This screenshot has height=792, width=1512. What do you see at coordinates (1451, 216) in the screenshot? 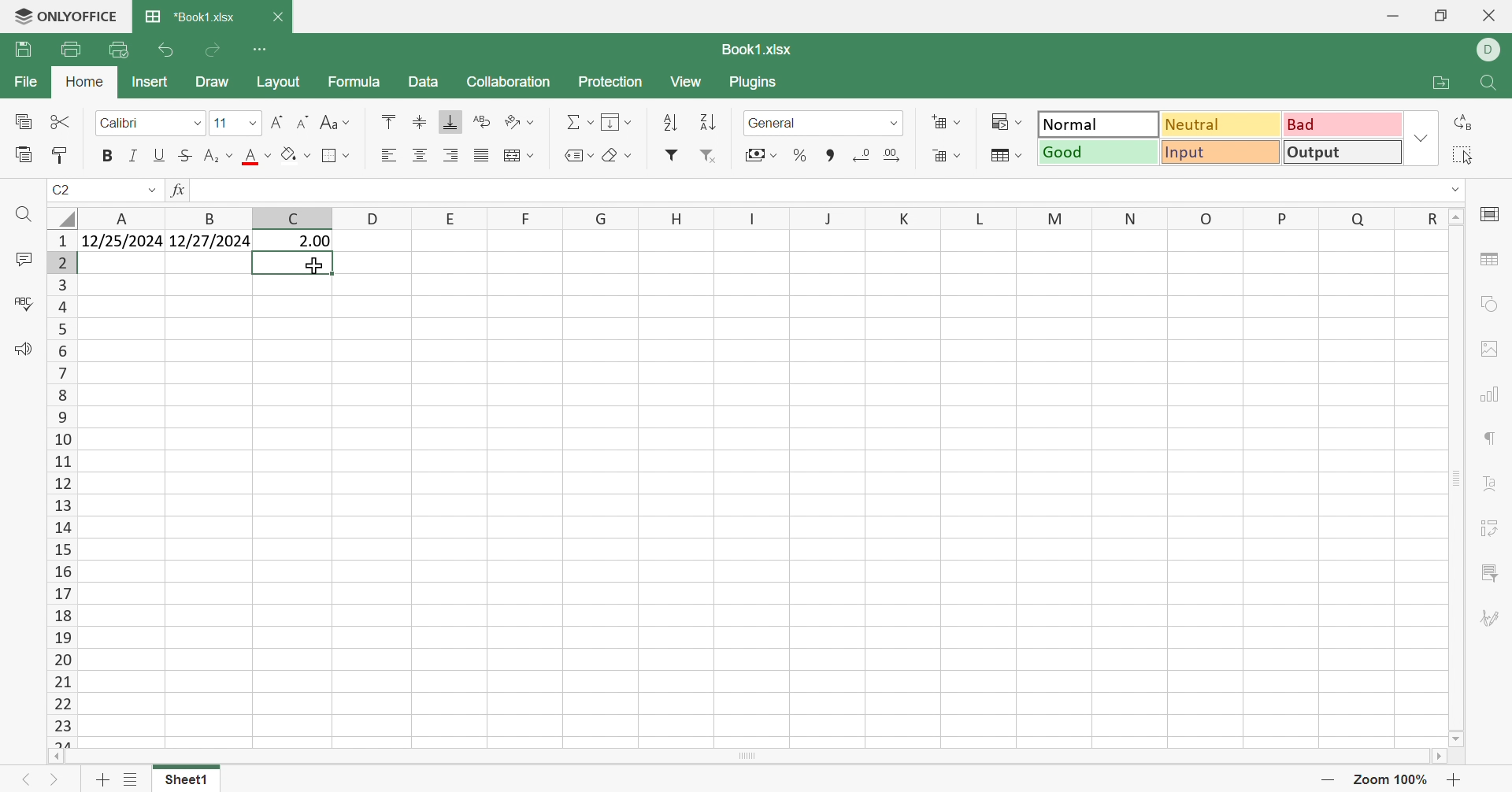
I see `Scroll Up` at bounding box center [1451, 216].